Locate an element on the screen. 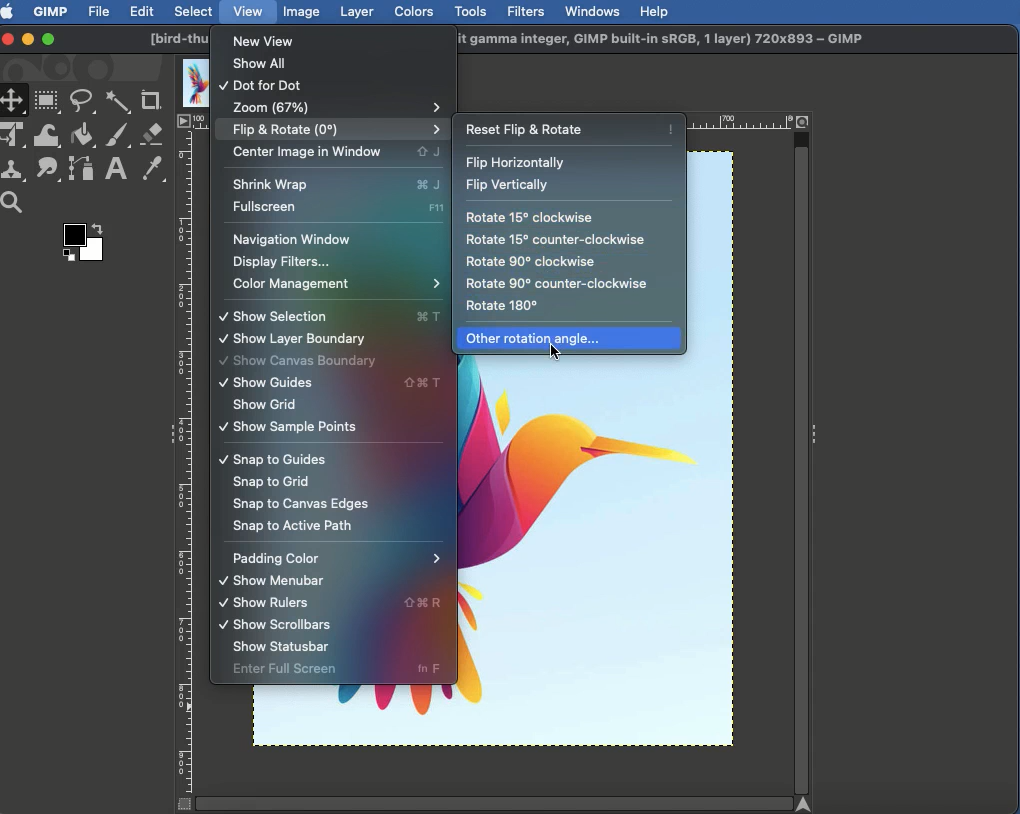  Fuzzy selector is located at coordinates (118, 103).